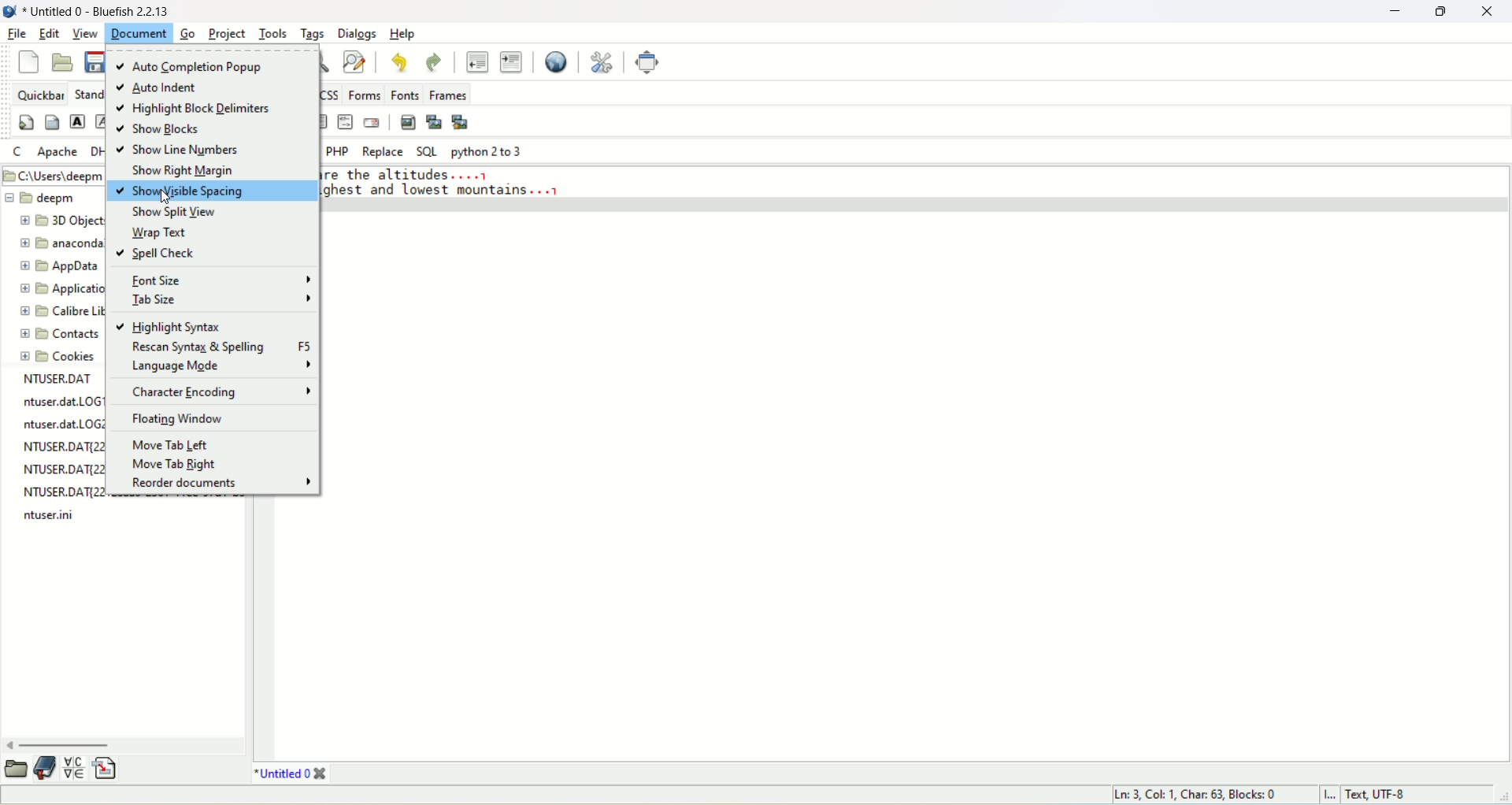 This screenshot has height=805, width=1512. I want to click on rescan syntax and spelling, so click(220, 349).